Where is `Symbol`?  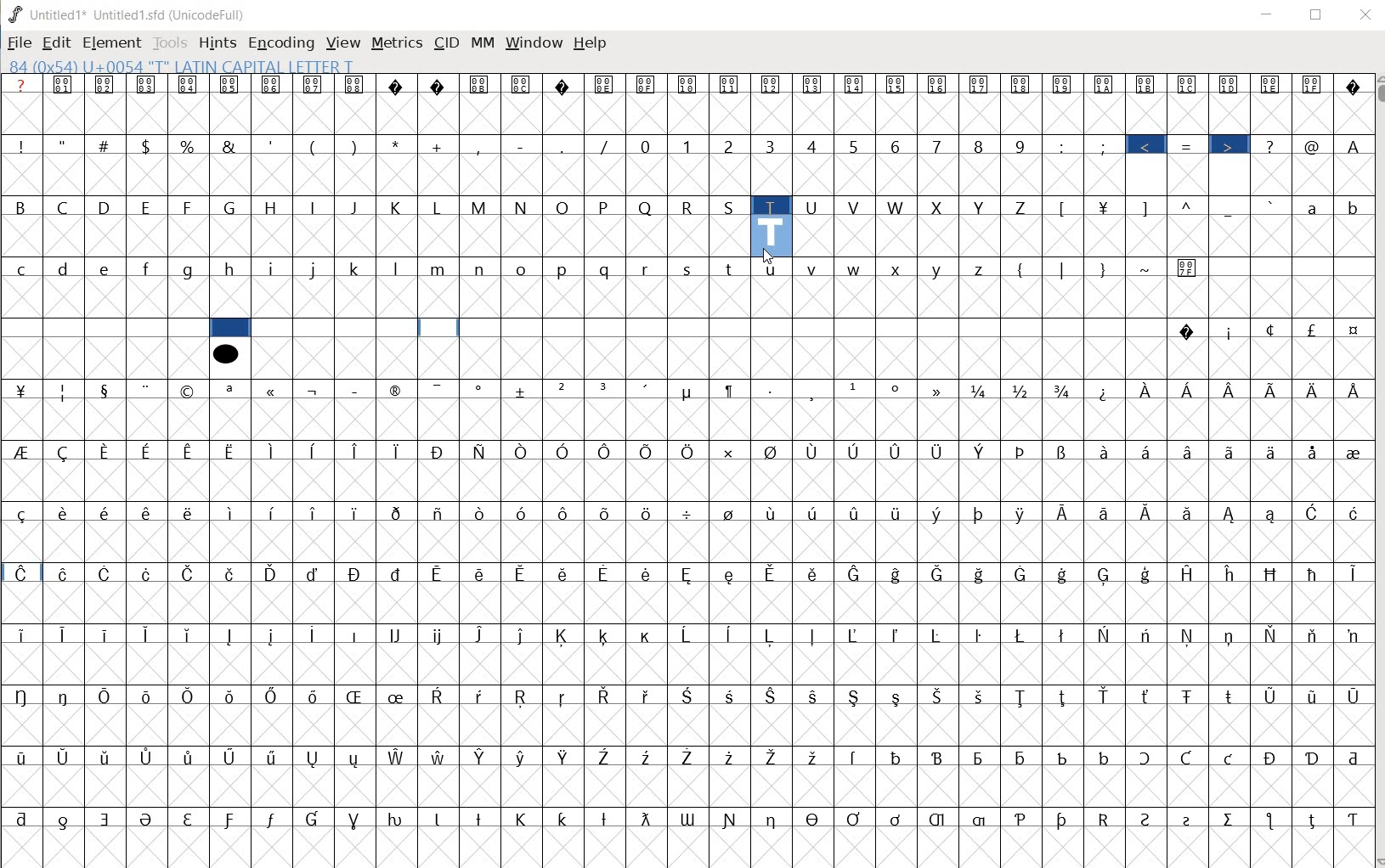
Symbol is located at coordinates (648, 573).